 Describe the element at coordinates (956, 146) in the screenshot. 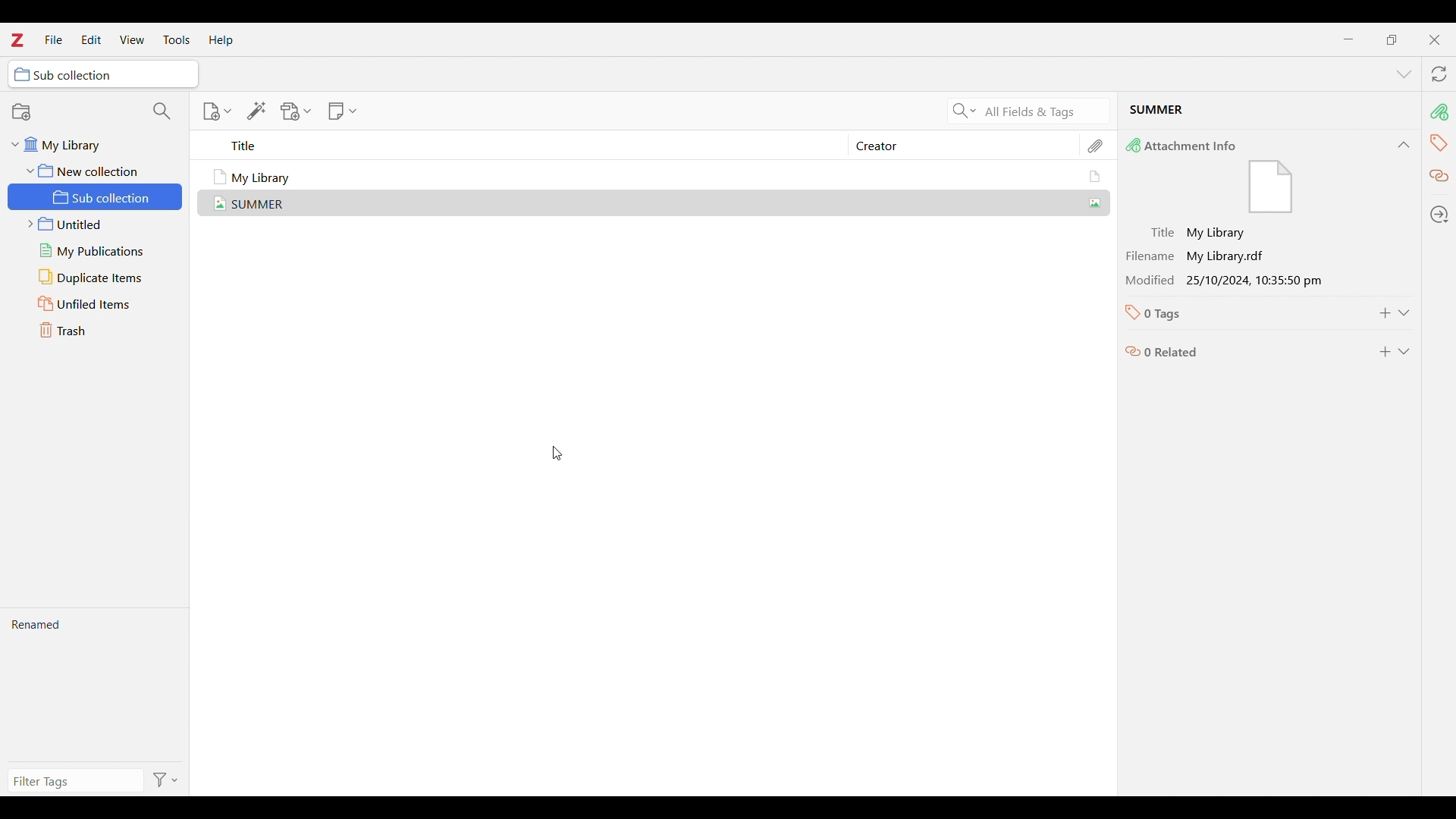

I see `Creator ` at that location.